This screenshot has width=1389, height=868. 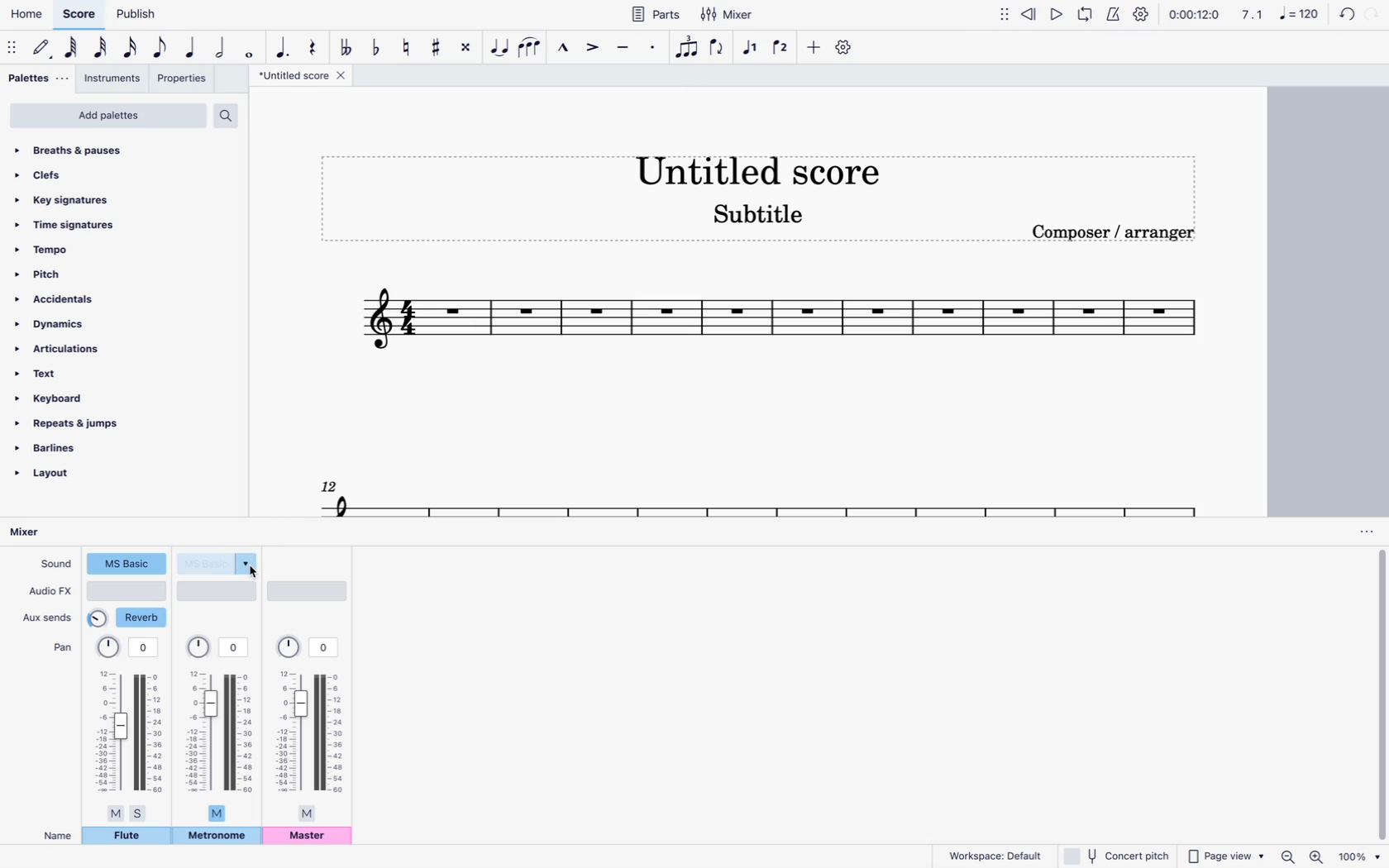 What do you see at coordinates (376, 45) in the screenshot?
I see `toggle flat` at bounding box center [376, 45].